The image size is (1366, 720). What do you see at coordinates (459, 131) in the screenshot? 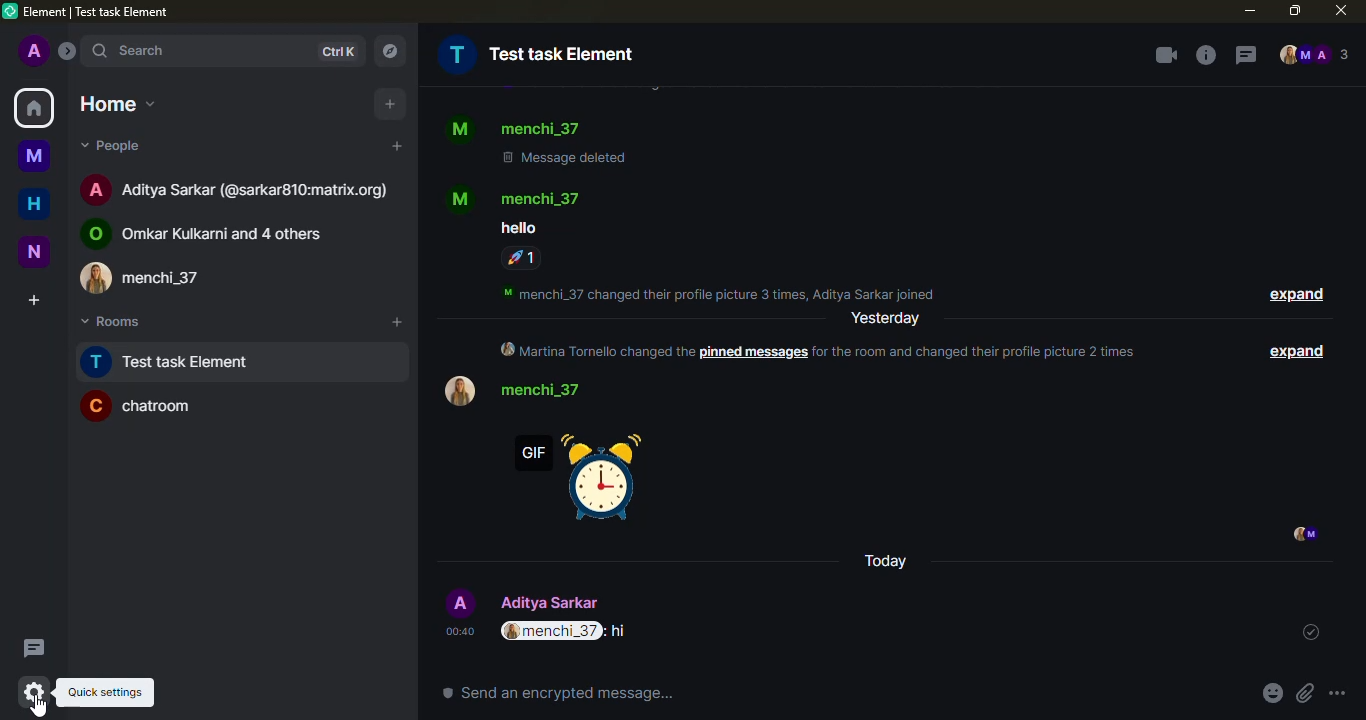
I see `profile` at bounding box center [459, 131].